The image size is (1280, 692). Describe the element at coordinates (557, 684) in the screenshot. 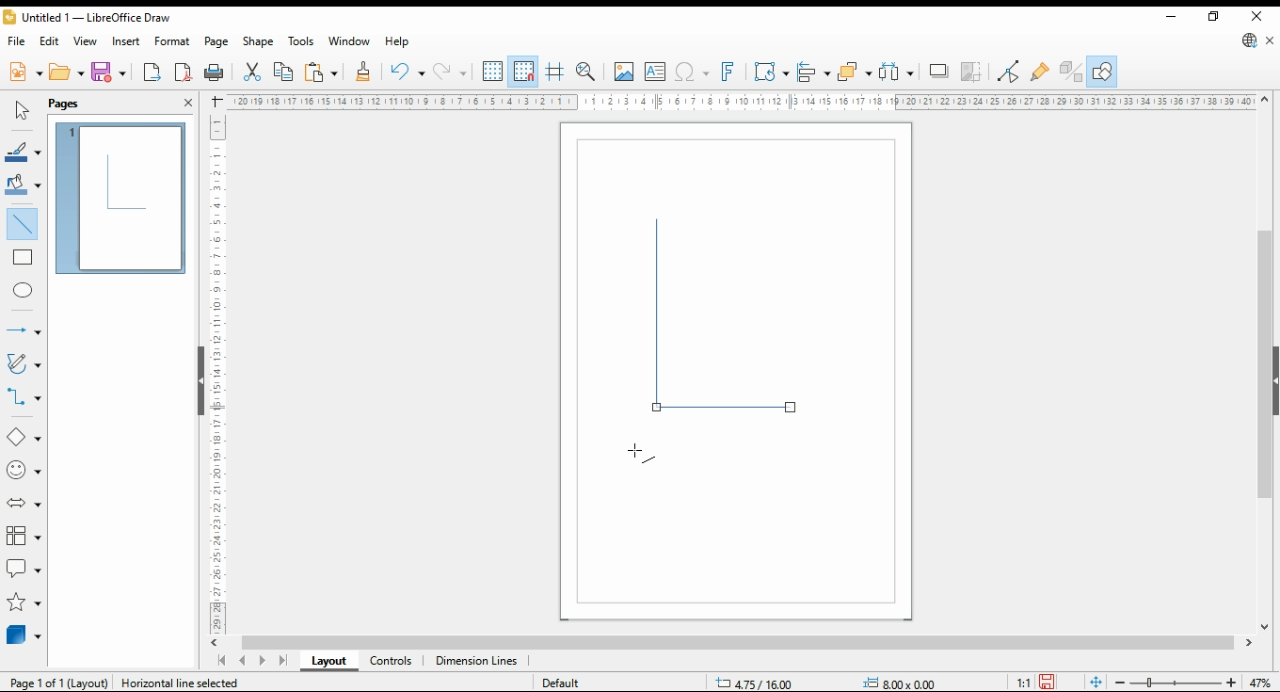

I see `default` at that location.